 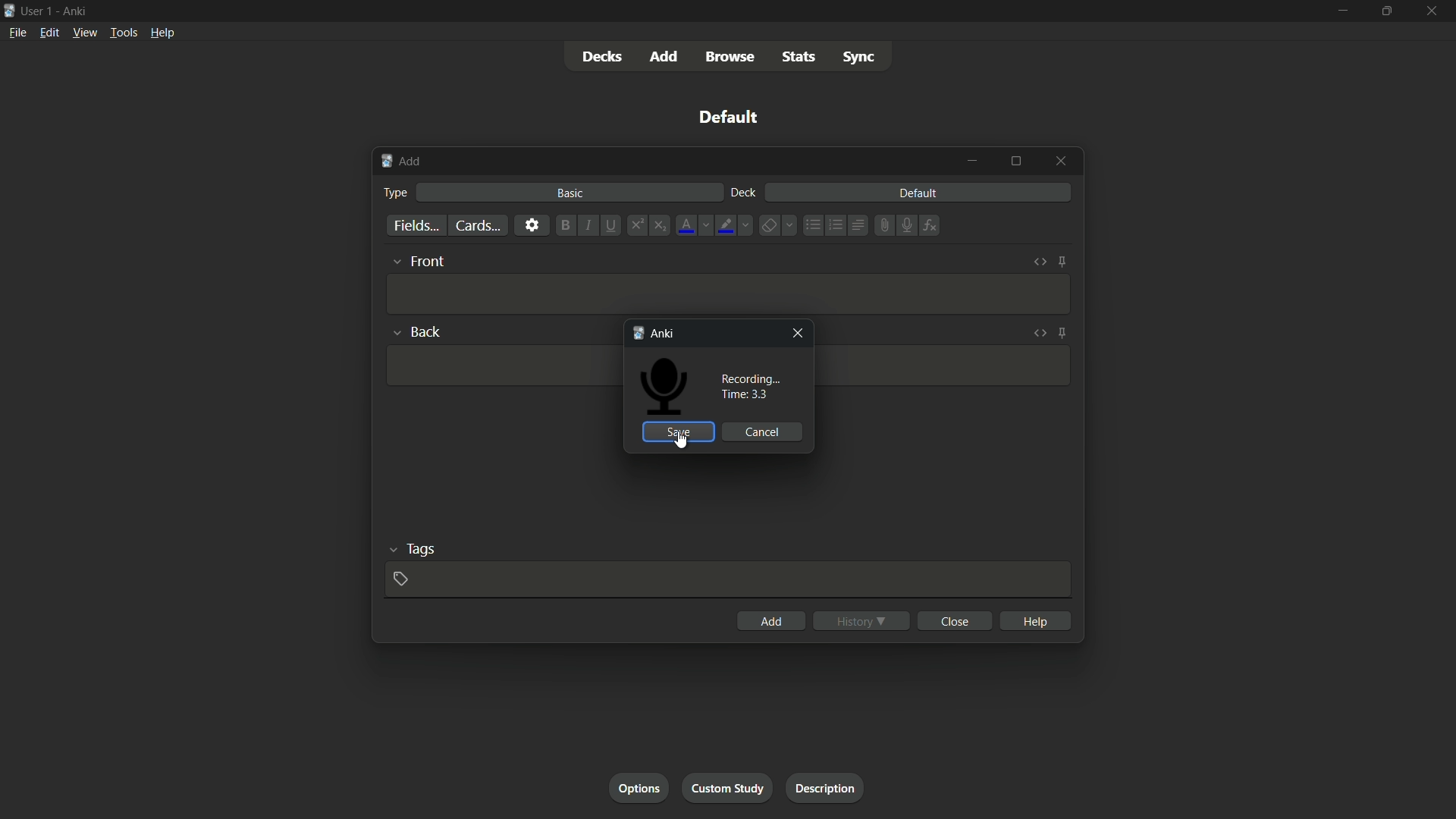 I want to click on back, so click(x=428, y=331).